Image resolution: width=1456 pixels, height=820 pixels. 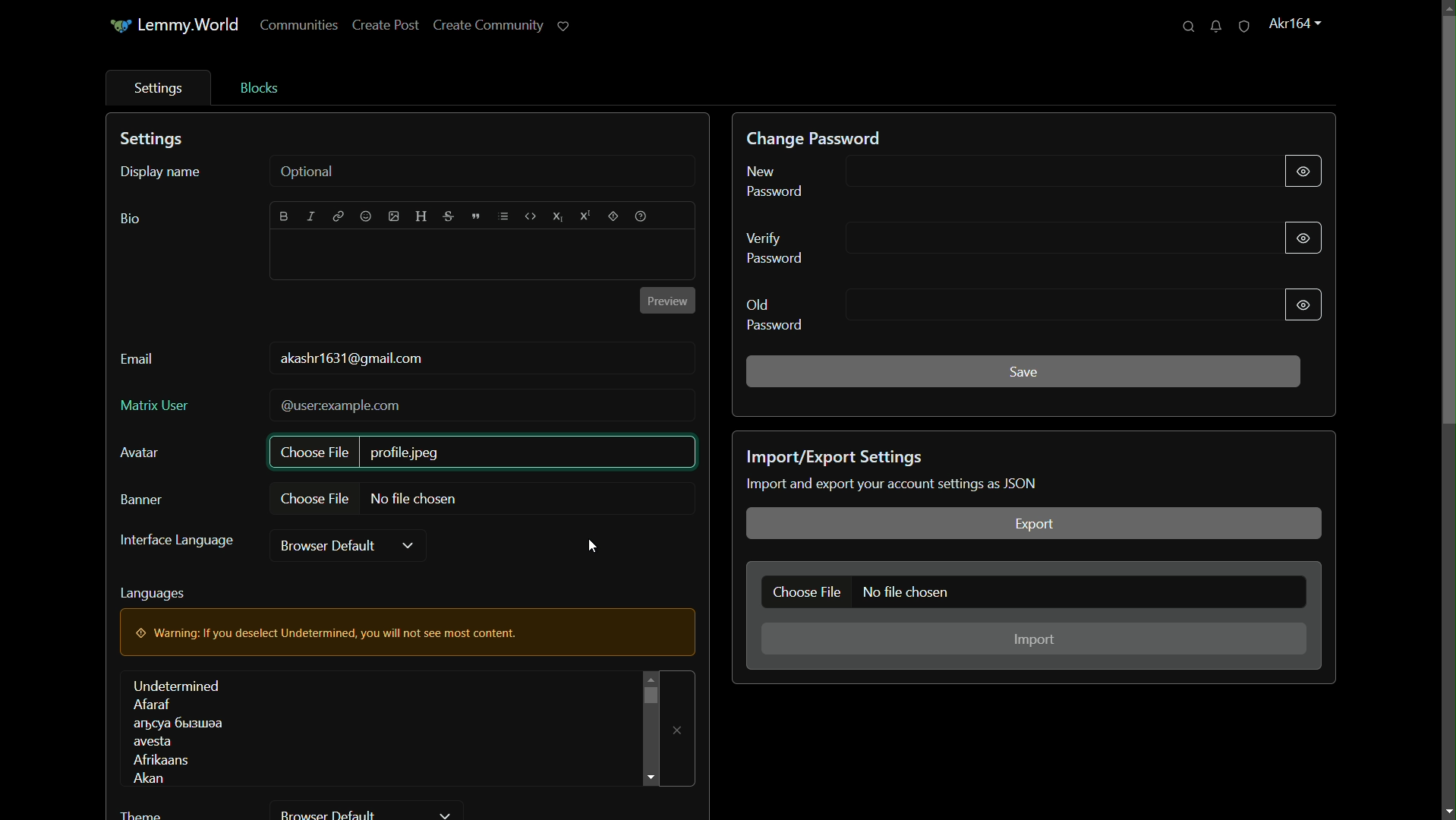 What do you see at coordinates (1303, 236) in the screenshot?
I see `show` at bounding box center [1303, 236].